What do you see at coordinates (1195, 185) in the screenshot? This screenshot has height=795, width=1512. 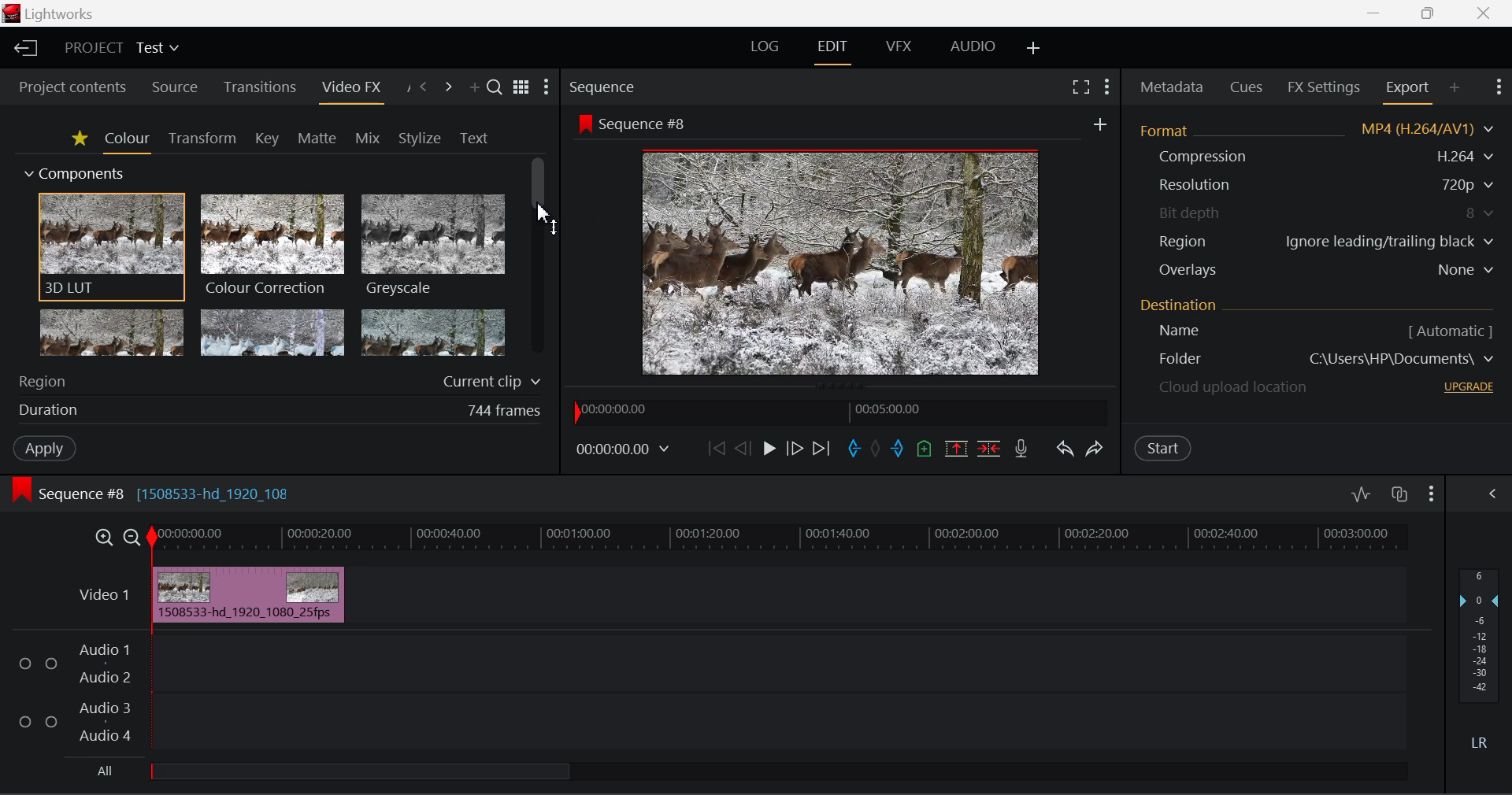 I see `Resolution` at bounding box center [1195, 185].